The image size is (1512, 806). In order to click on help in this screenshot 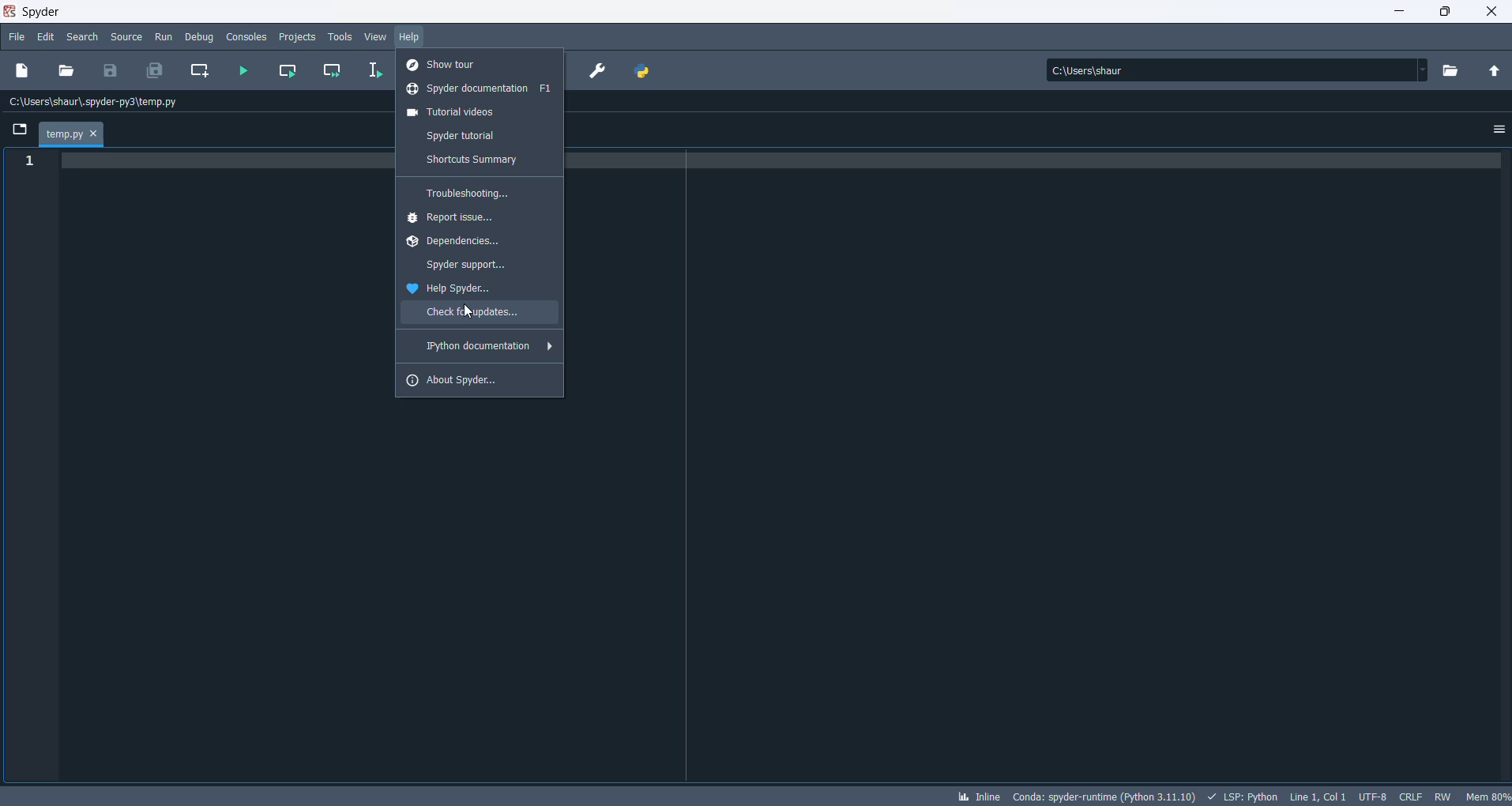, I will do `click(412, 37)`.